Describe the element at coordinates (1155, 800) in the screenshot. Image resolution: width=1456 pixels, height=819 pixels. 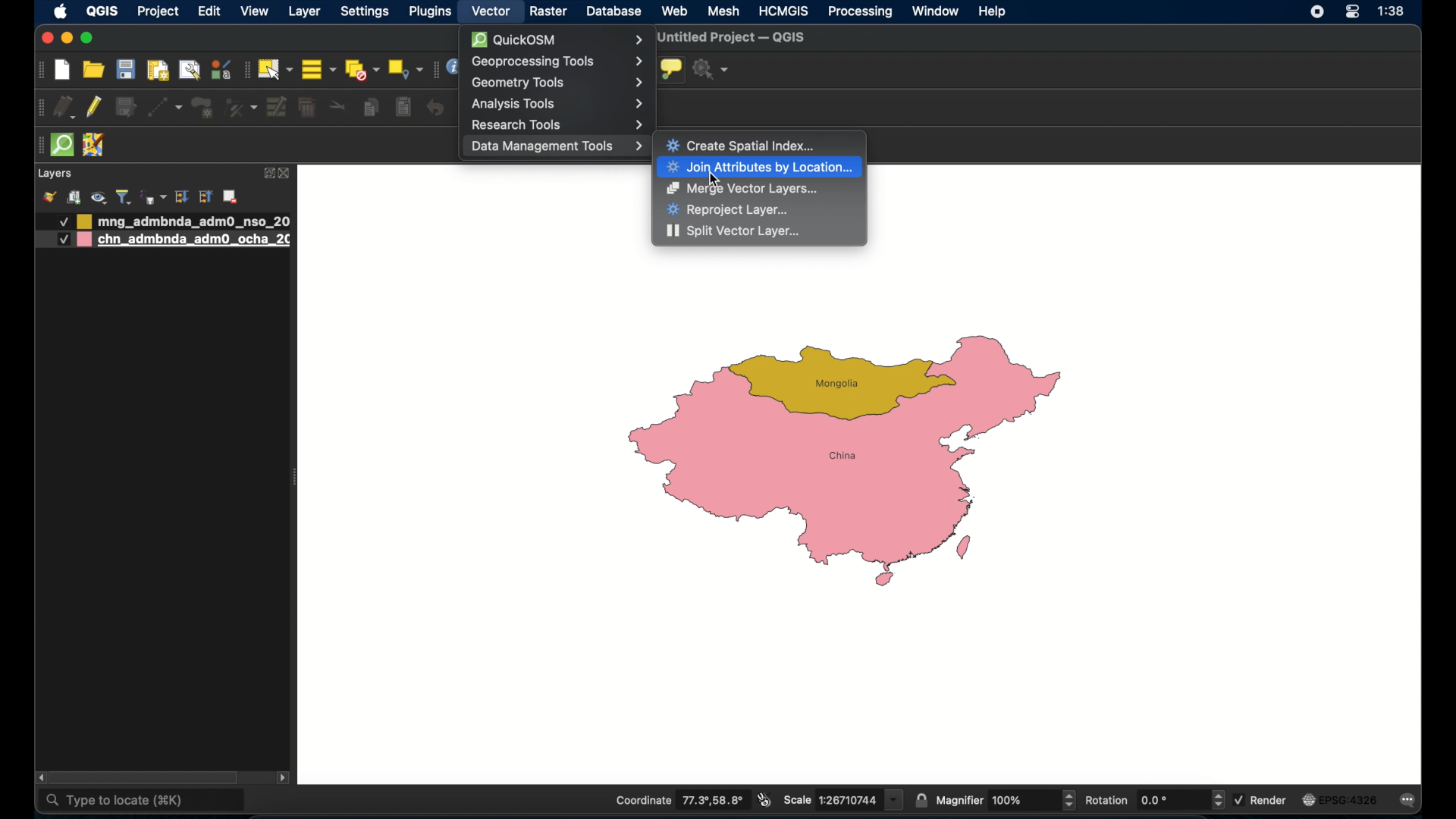
I see `rotation` at that location.